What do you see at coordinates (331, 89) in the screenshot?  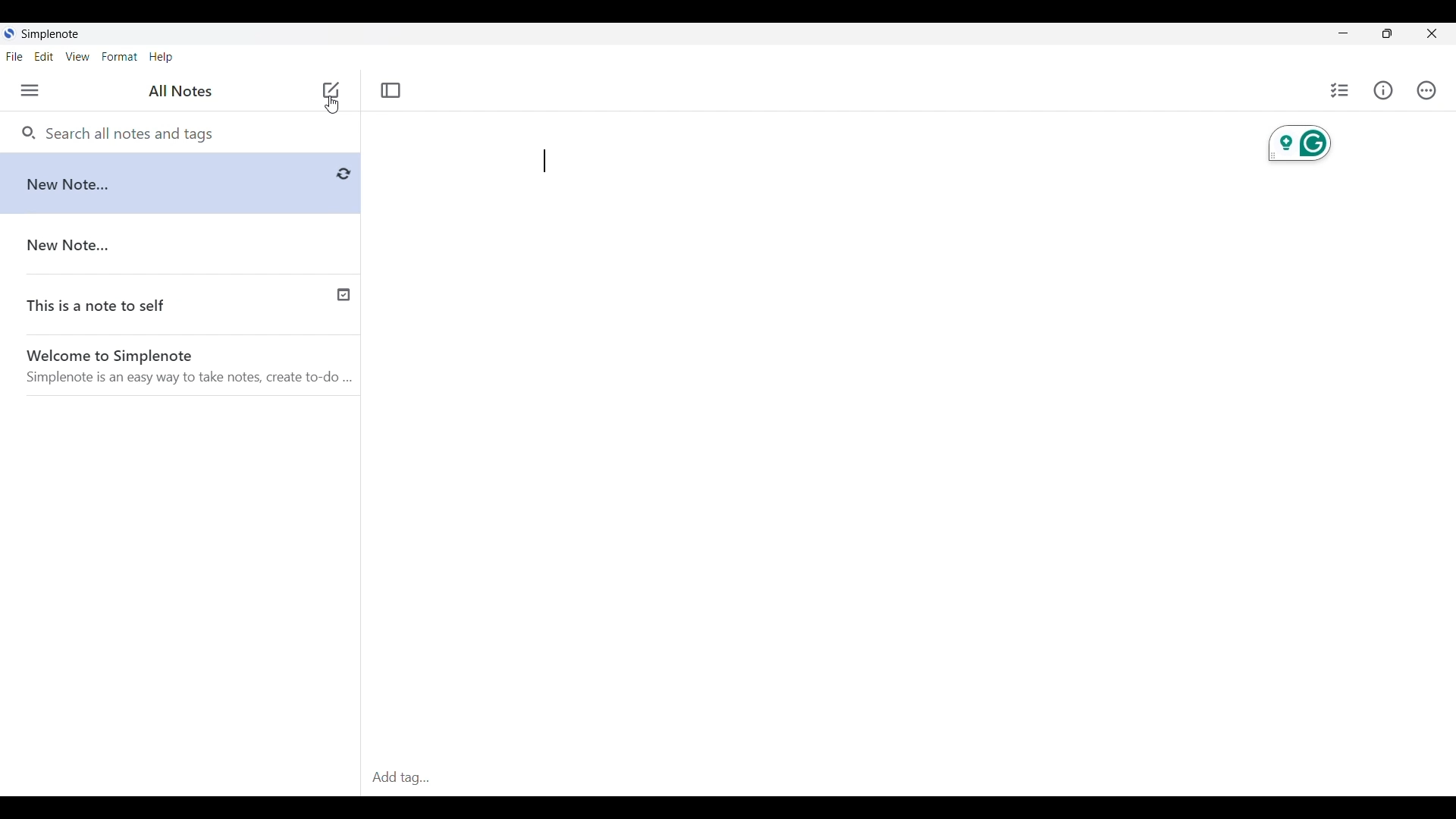 I see `Click to add note` at bounding box center [331, 89].